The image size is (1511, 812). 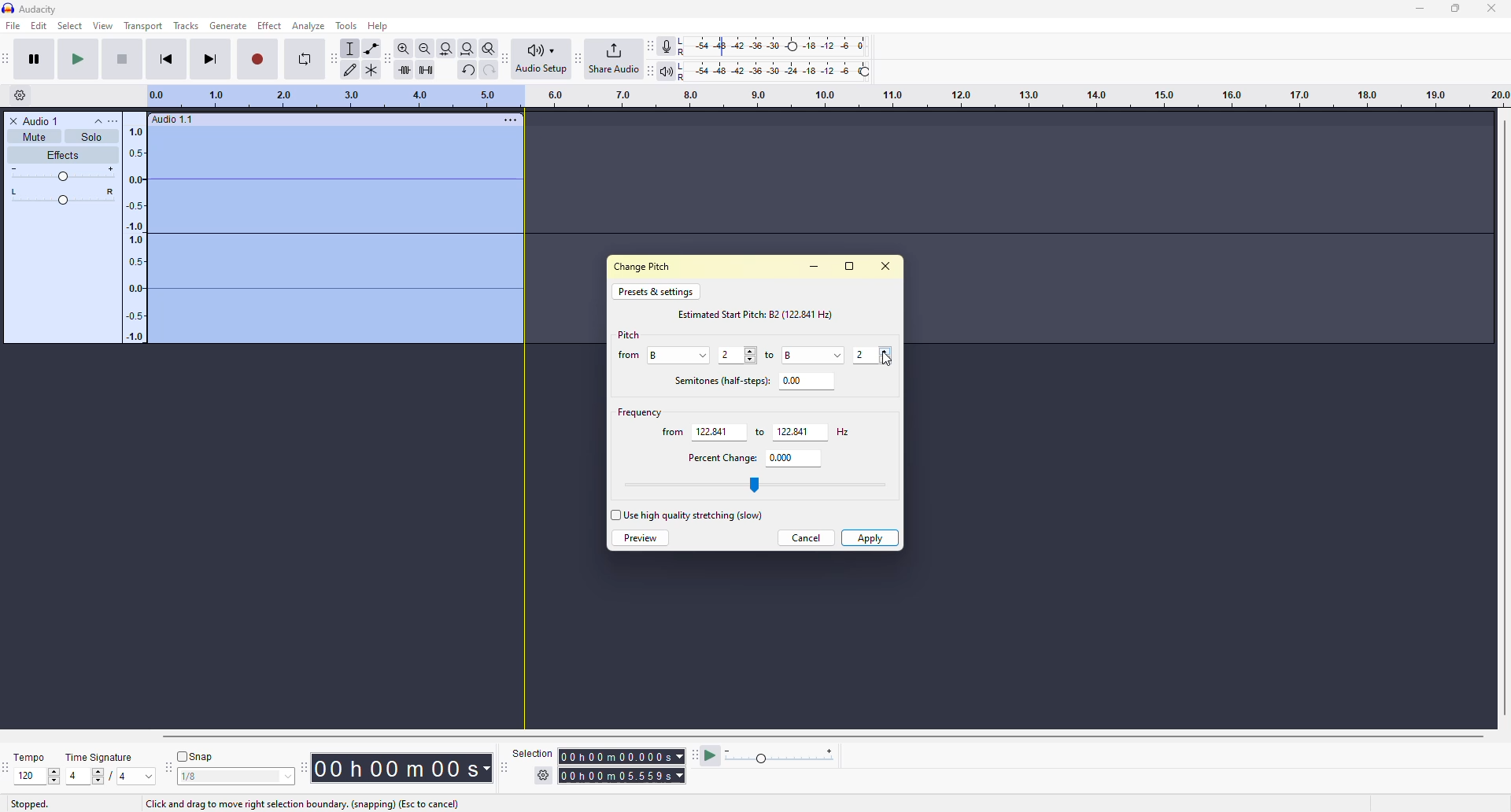 What do you see at coordinates (758, 484) in the screenshot?
I see `adjust` at bounding box center [758, 484].